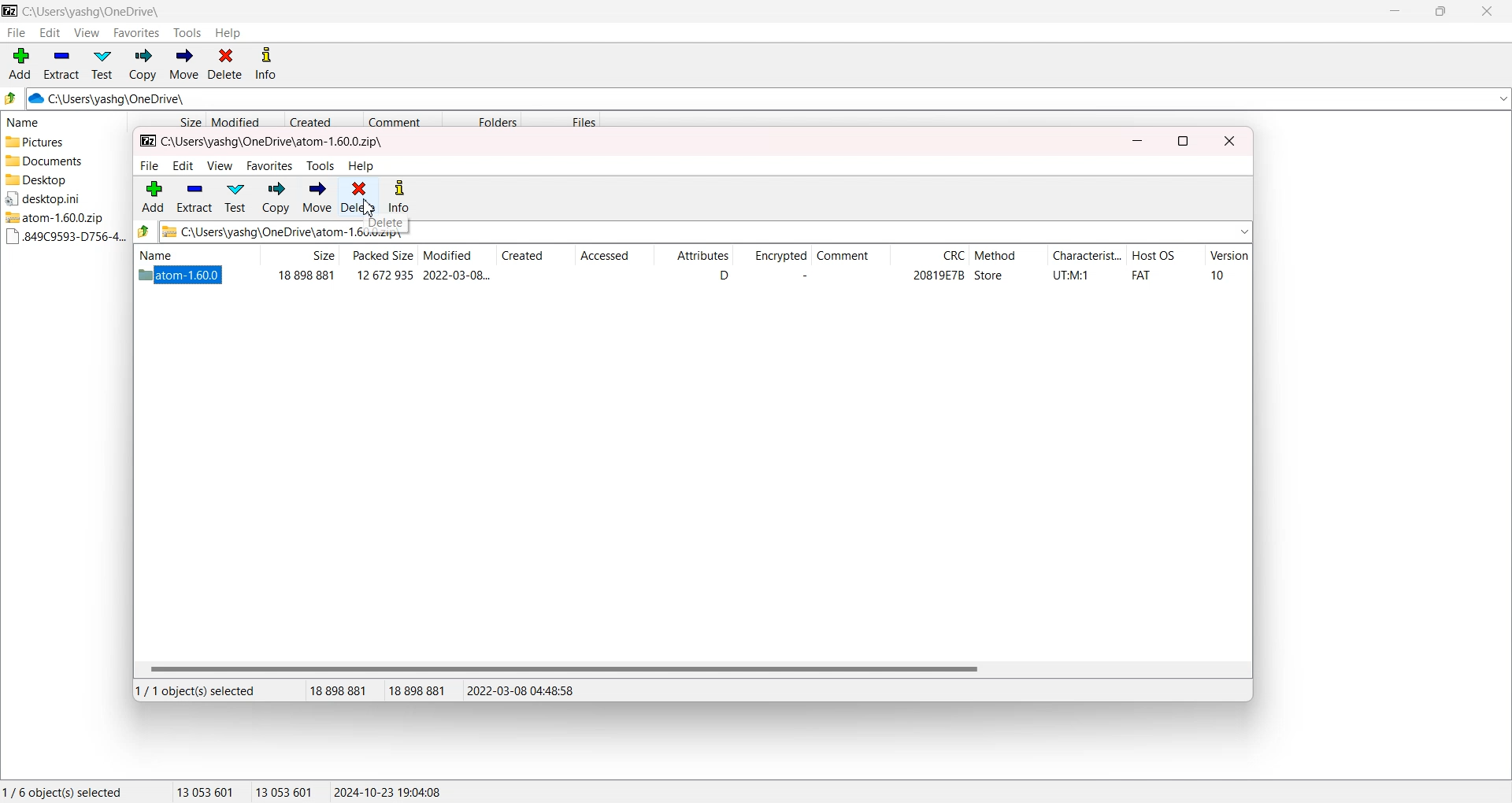 The image size is (1512, 803). Describe the element at coordinates (1244, 231) in the screenshot. I see `expand` at that location.